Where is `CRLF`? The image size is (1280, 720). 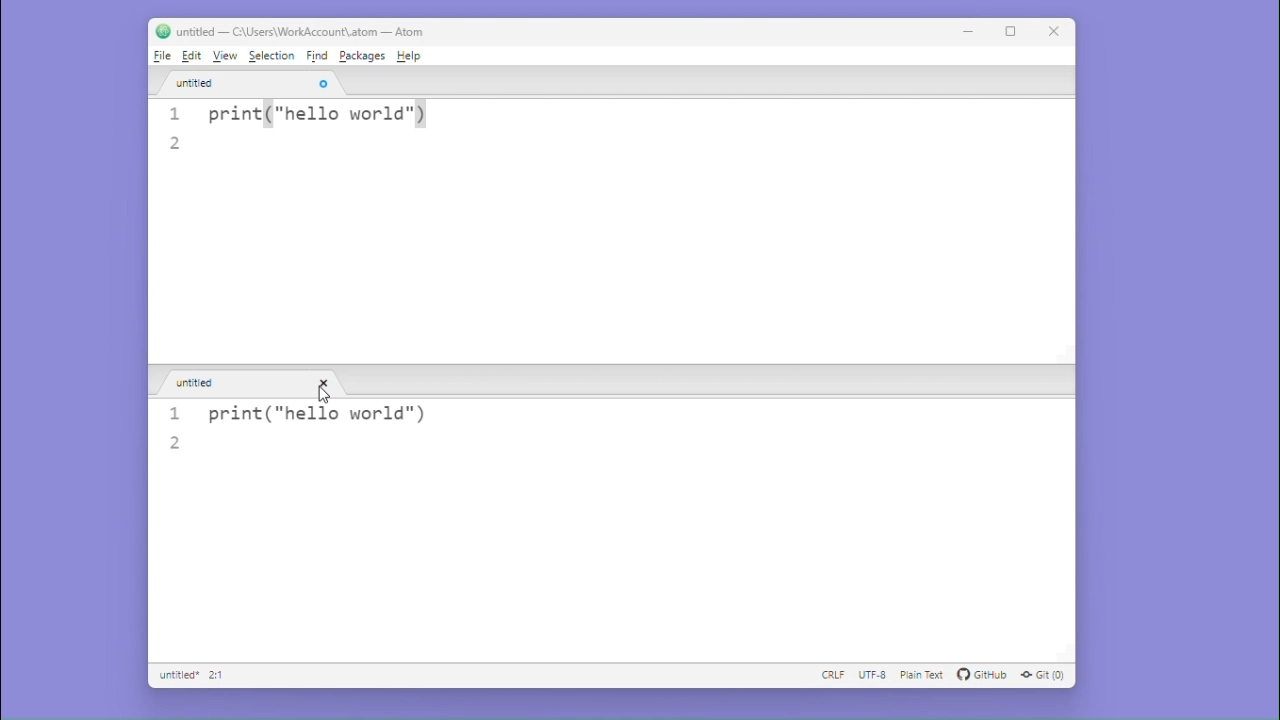 CRLF is located at coordinates (831, 677).